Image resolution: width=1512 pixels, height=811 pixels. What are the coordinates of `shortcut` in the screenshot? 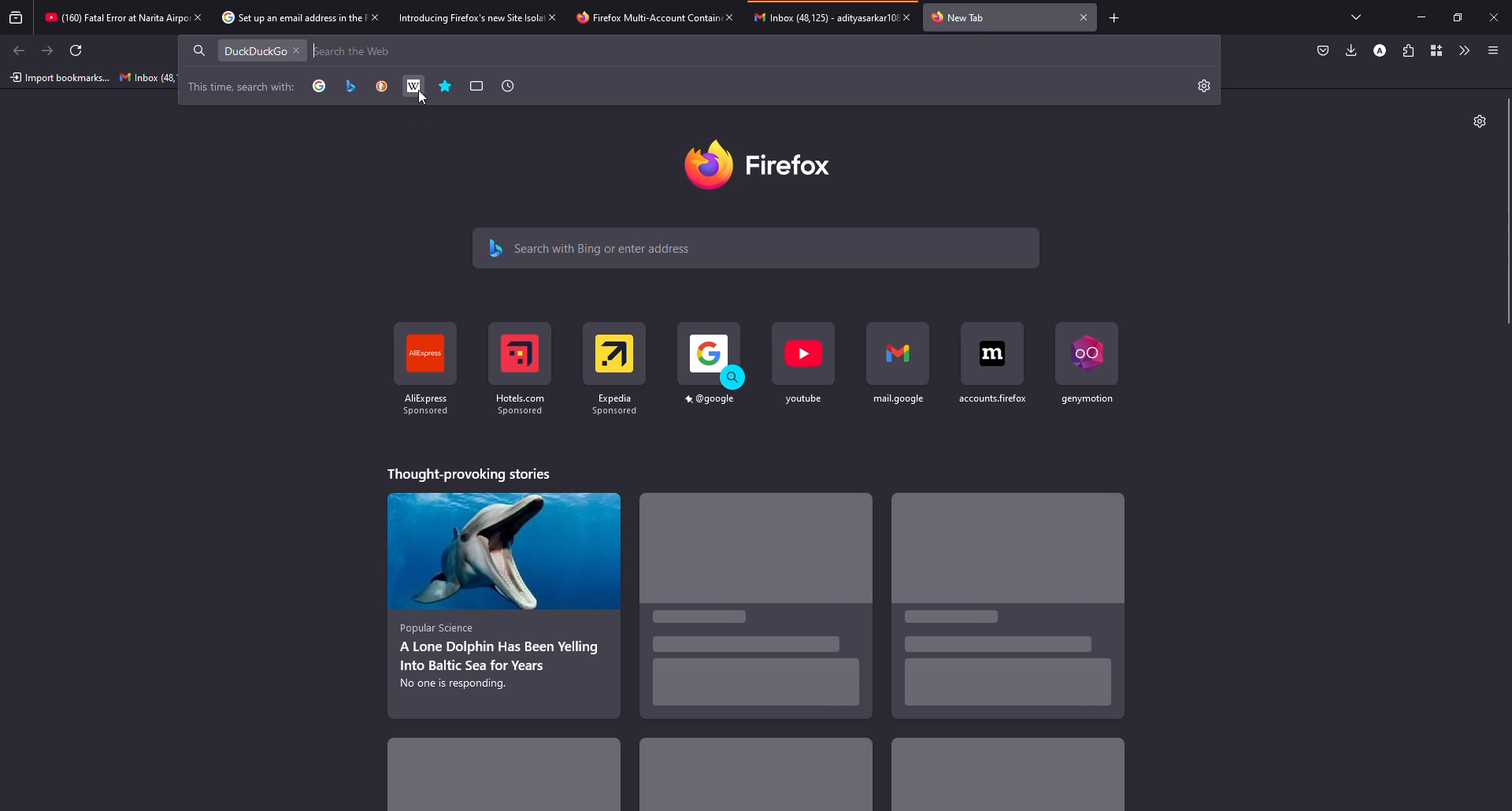 It's located at (520, 375).